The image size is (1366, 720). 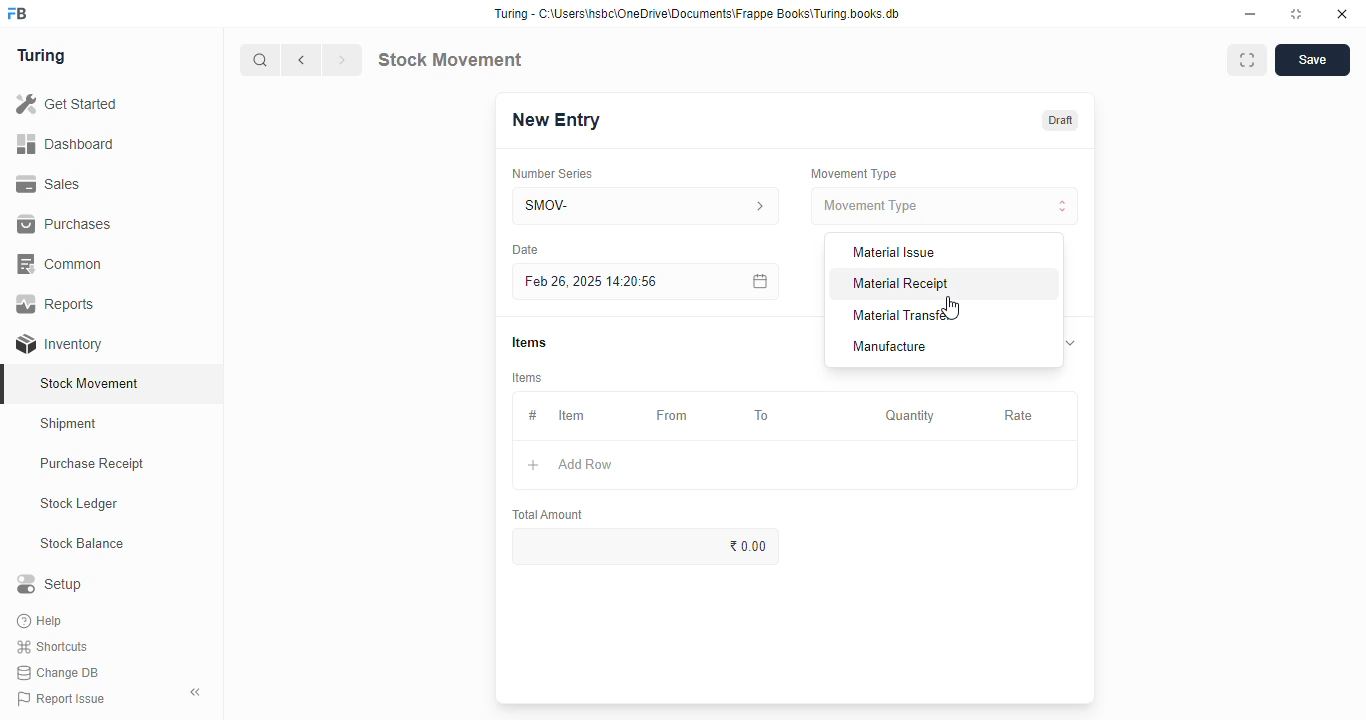 I want to click on number series, so click(x=551, y=174).